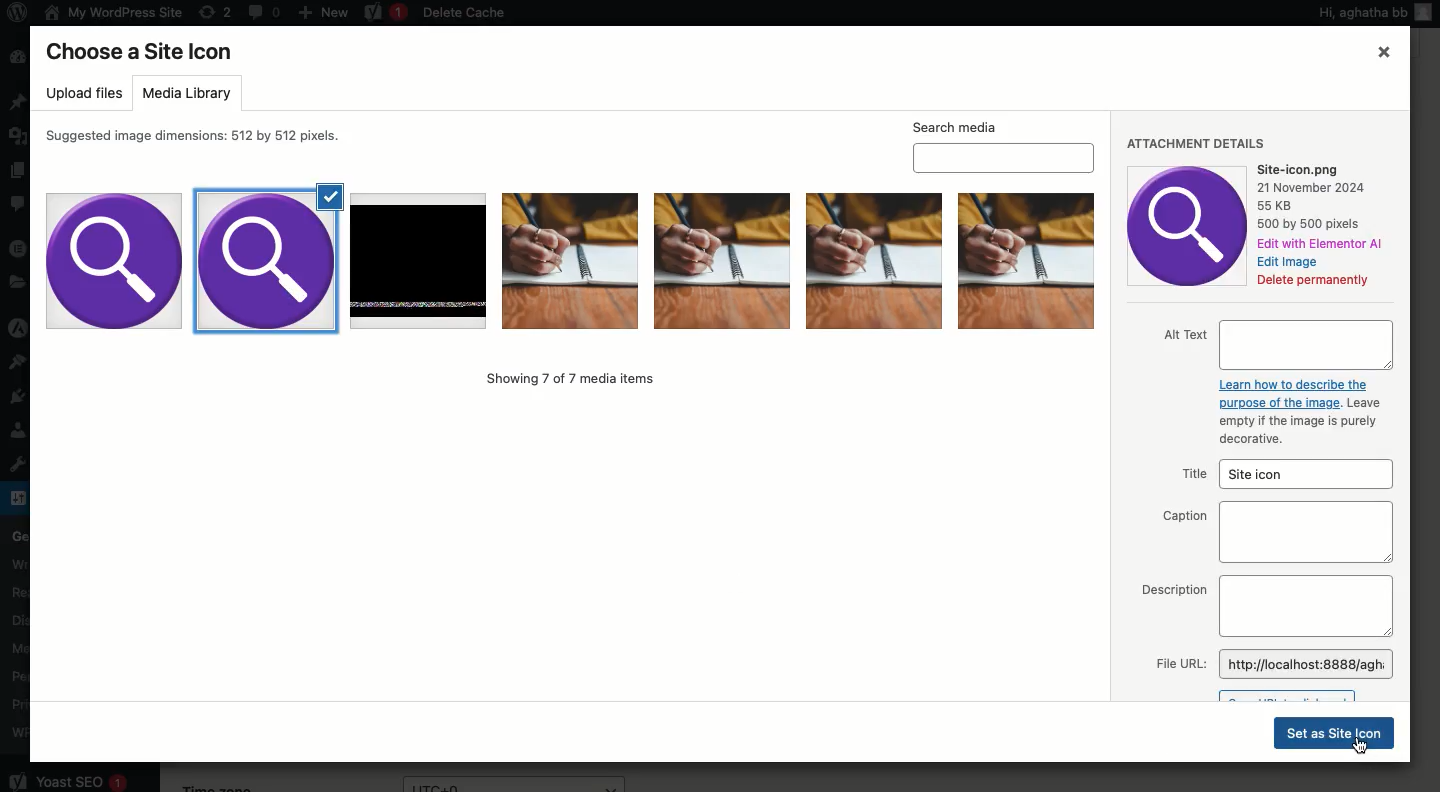  I want to click on Image, so click(1190, 226).